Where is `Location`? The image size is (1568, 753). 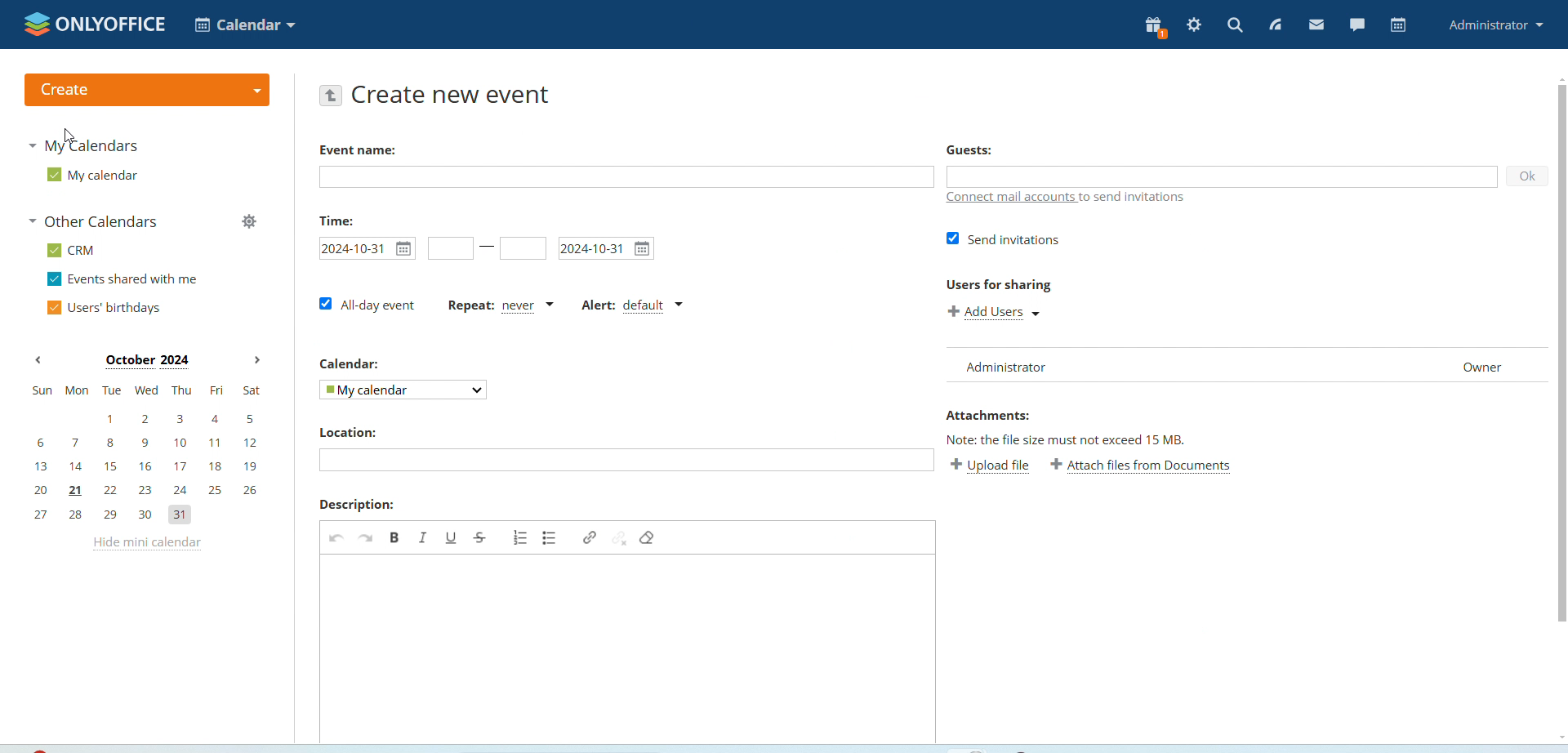
Location is located at coordinates (348, 433).